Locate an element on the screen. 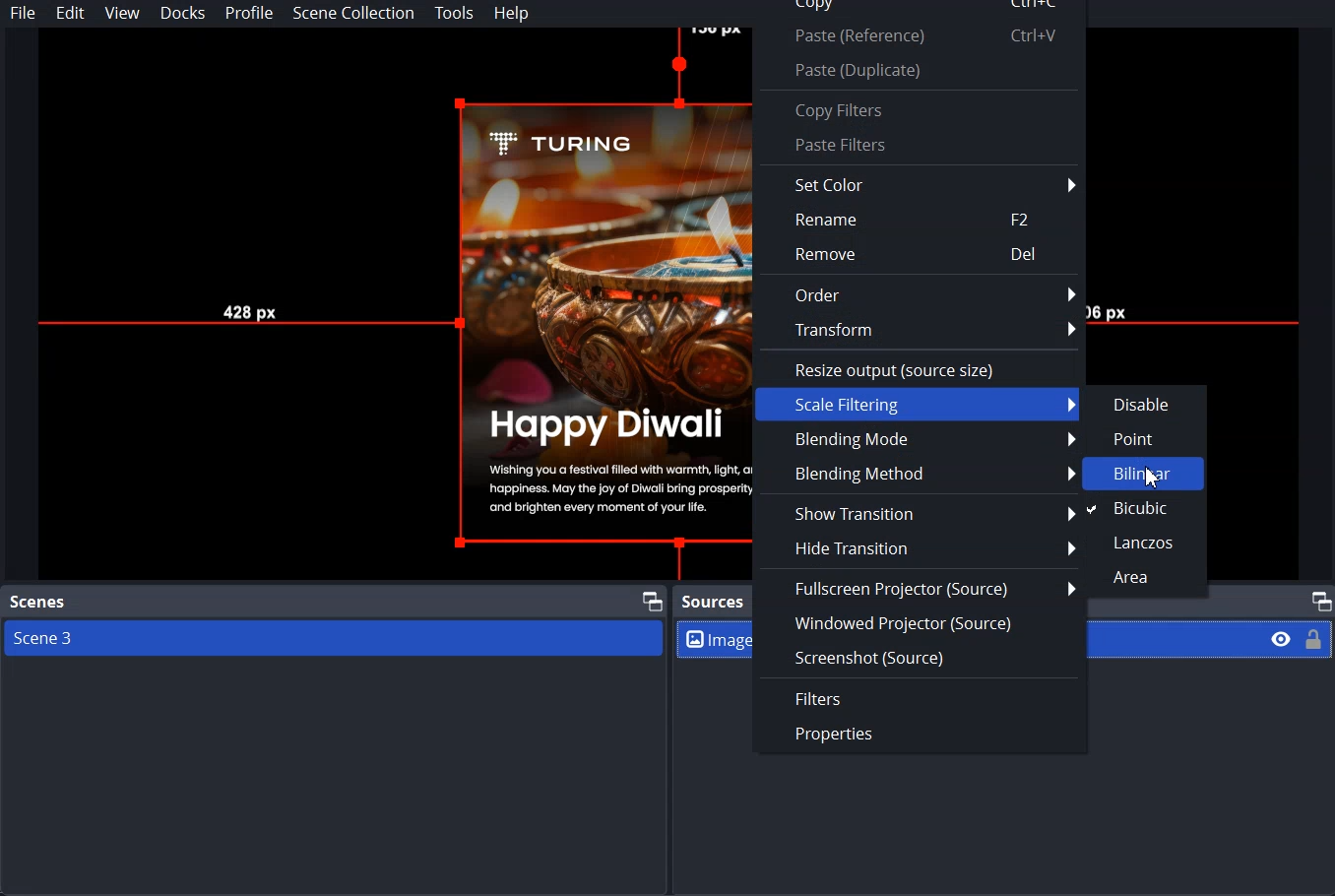 This screenshot has height=896, width=1335. Remove is located at coordinates (921, 255).